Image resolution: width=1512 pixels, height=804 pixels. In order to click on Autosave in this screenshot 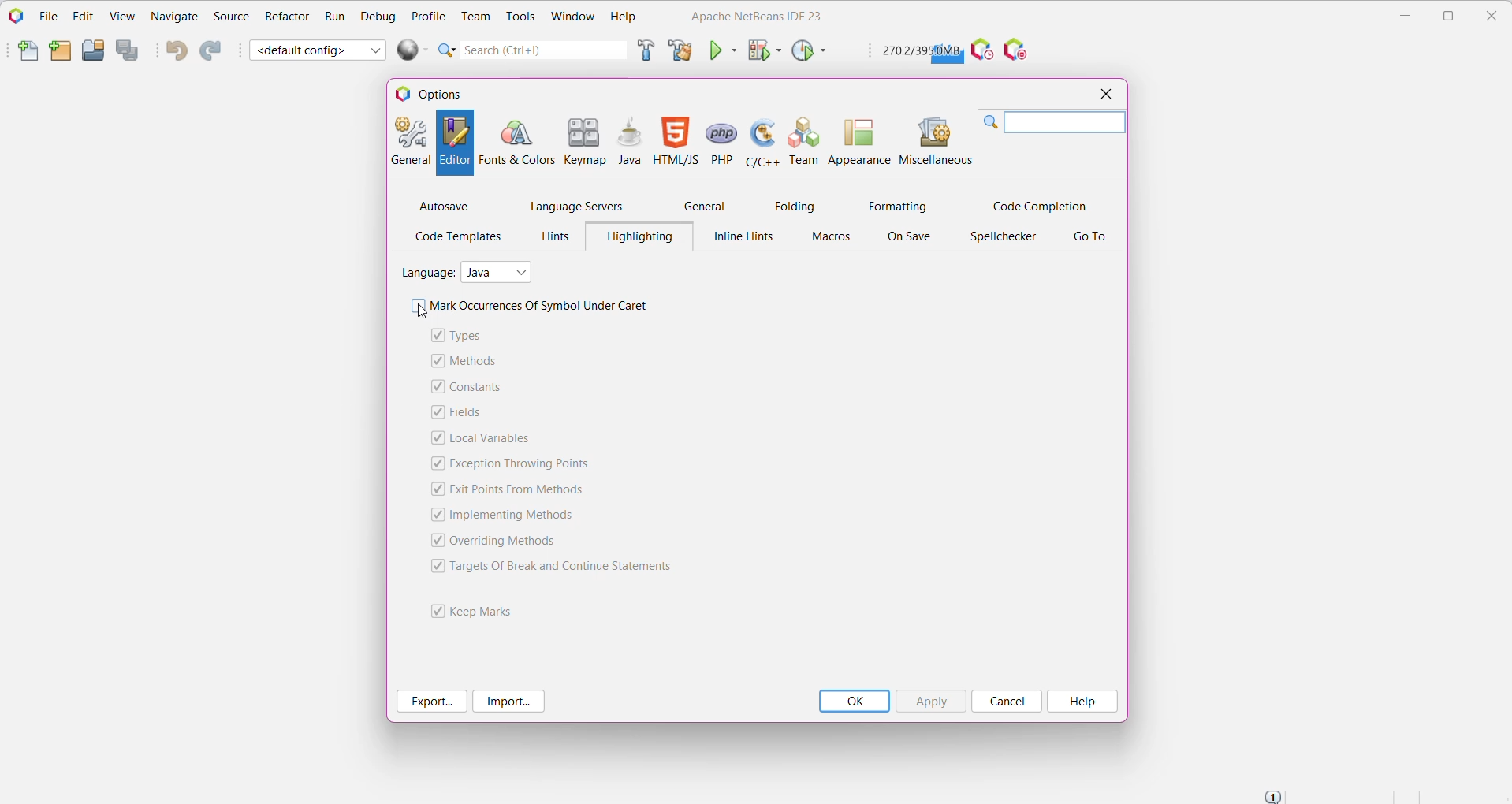, I will do `click(445, 206)`.